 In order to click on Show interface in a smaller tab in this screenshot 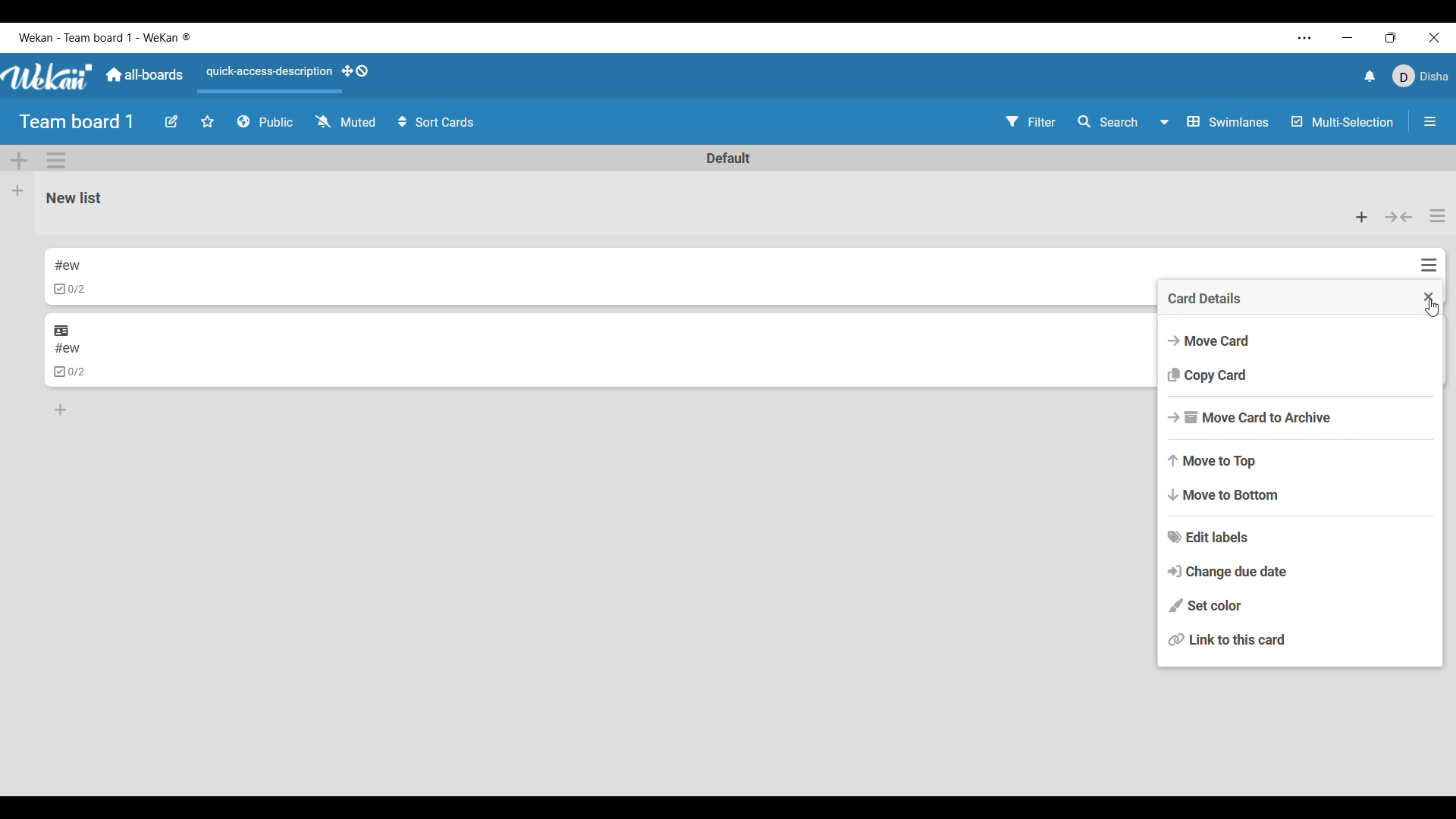, I will do `click(1391, 38)`.